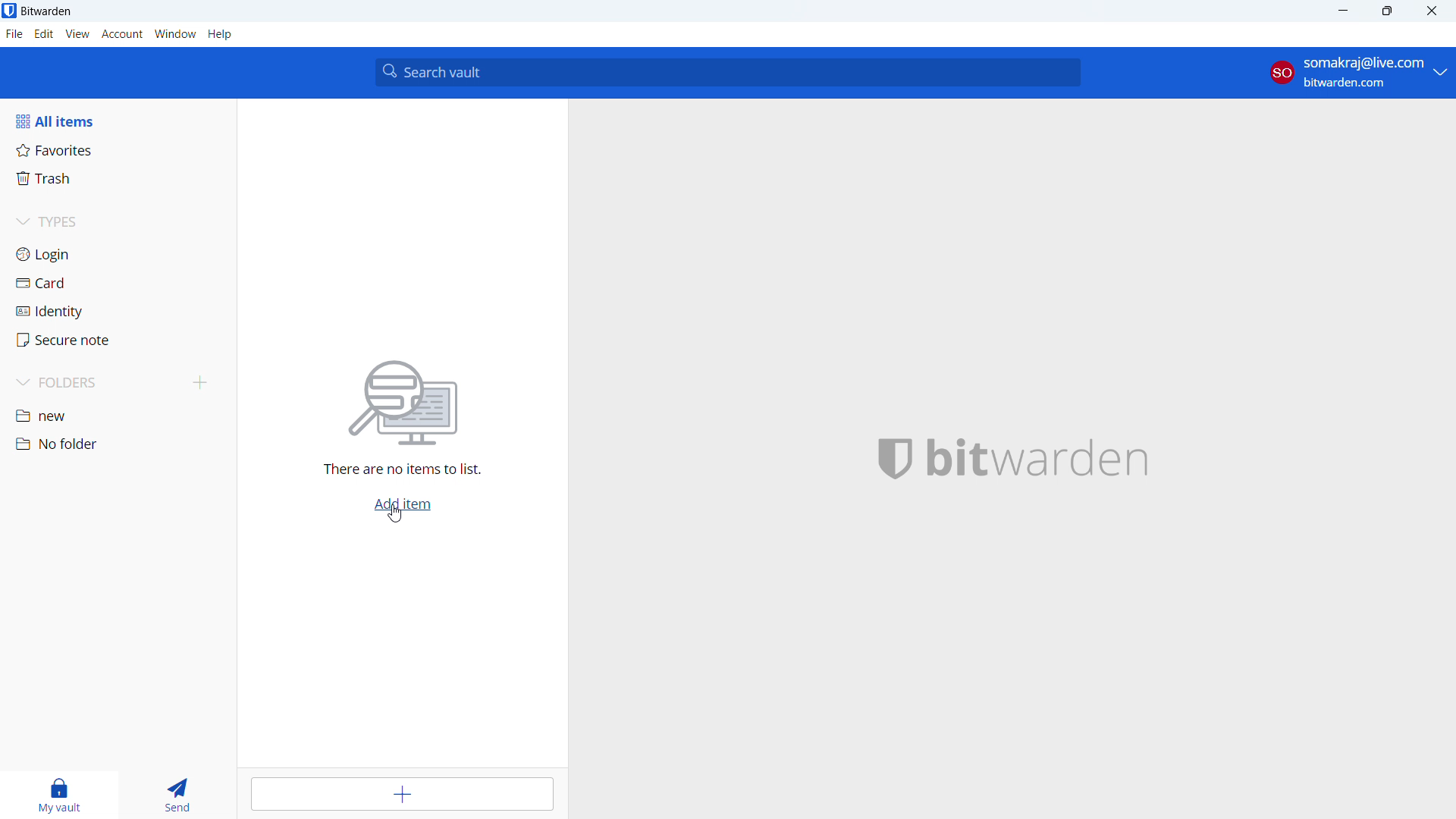 This screenshot has width=1456, height=819. What do you see at coordinates (118, 284) in the screenshot?
I see `card` at bounding box center [118, 284].